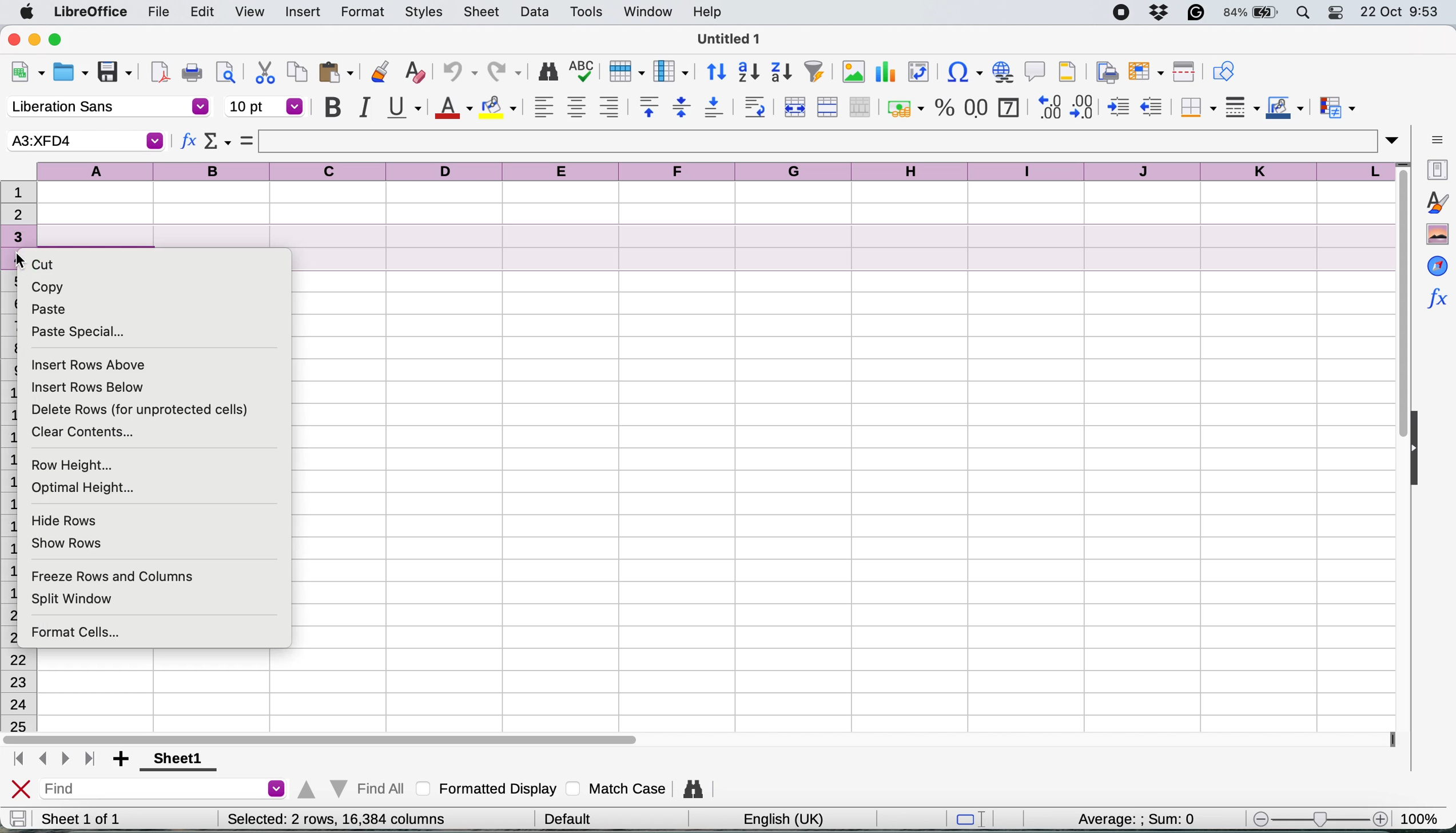 Image resolution: width=1456 pixels, height=833 pixels. Describe the element at coordinates (81, 819) in the screenshot. I see `sheet 1 of 1` at that location.